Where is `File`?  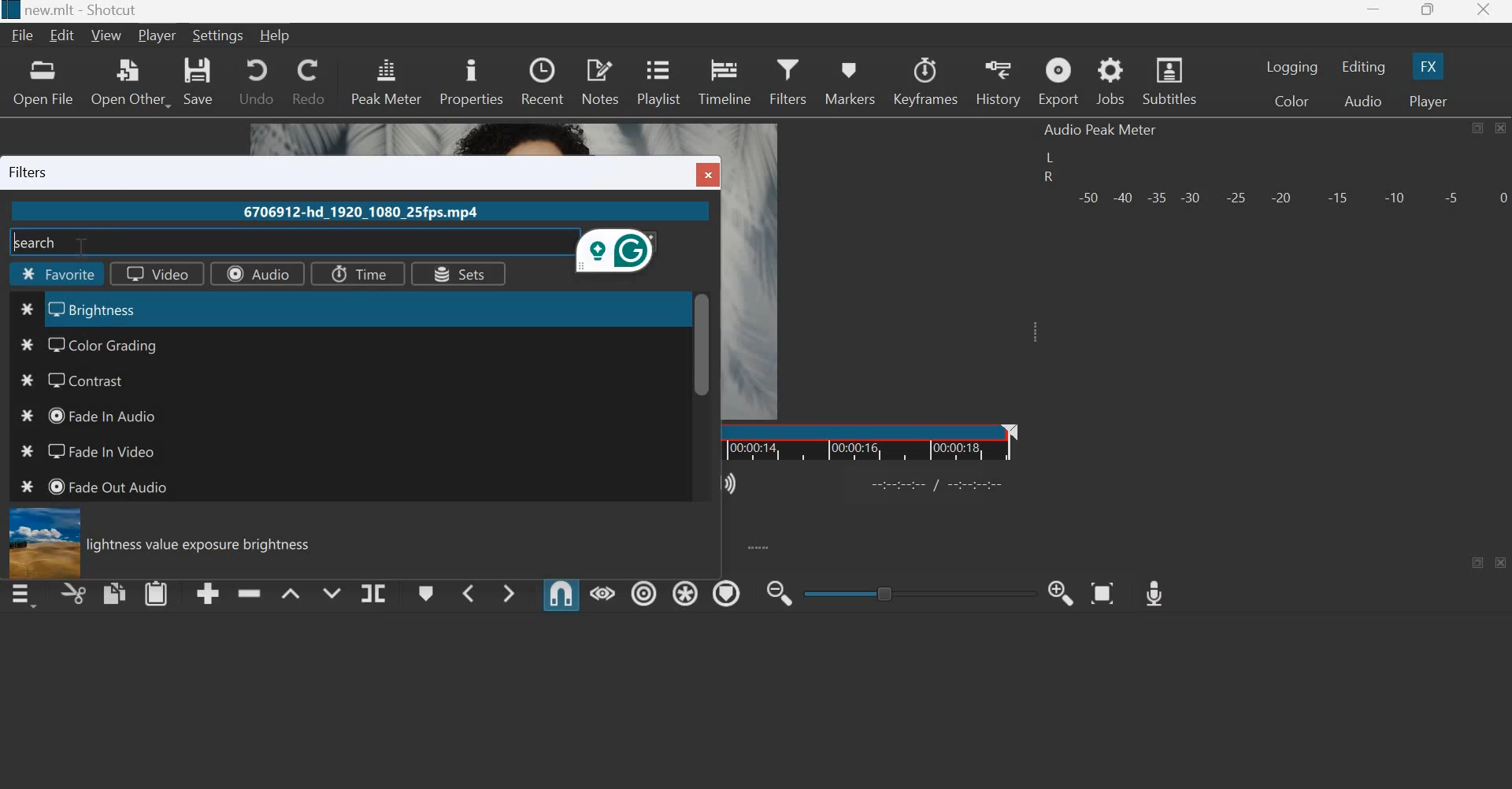 File is located at coordinates (25, 35).